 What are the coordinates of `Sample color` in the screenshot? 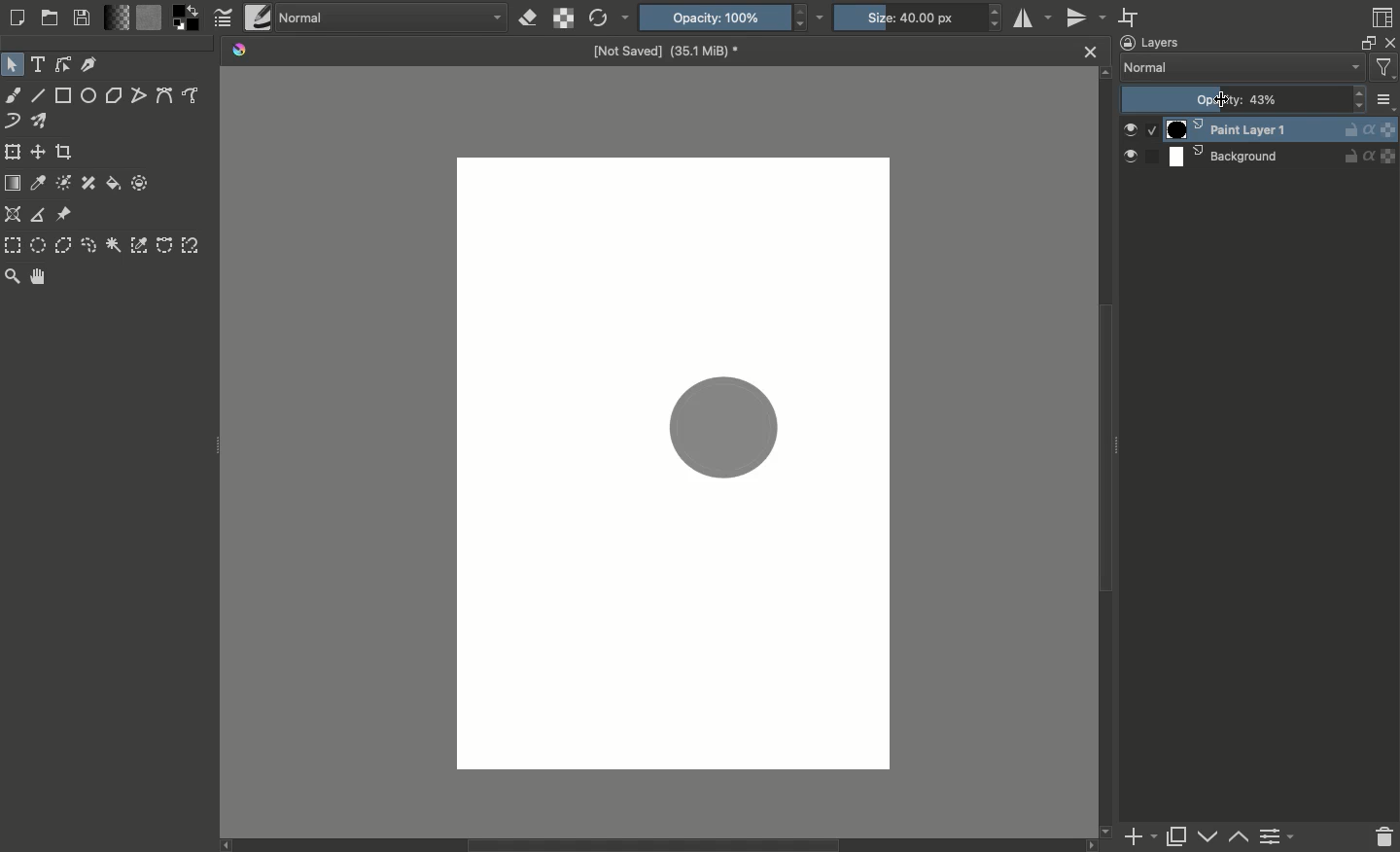 It's located at (39, 183).